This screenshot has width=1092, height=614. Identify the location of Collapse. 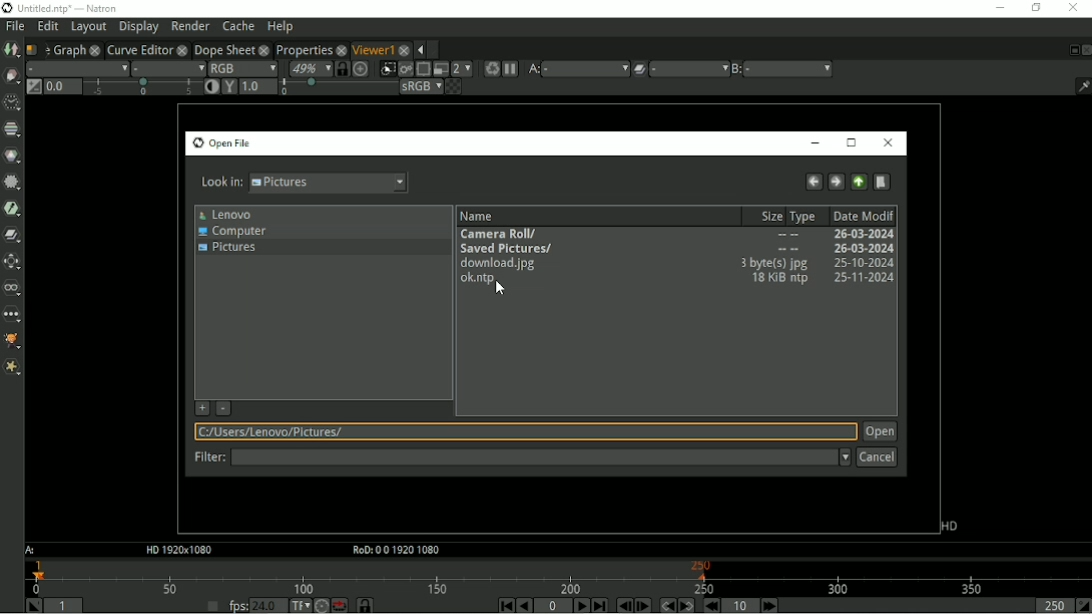
(419, 50).